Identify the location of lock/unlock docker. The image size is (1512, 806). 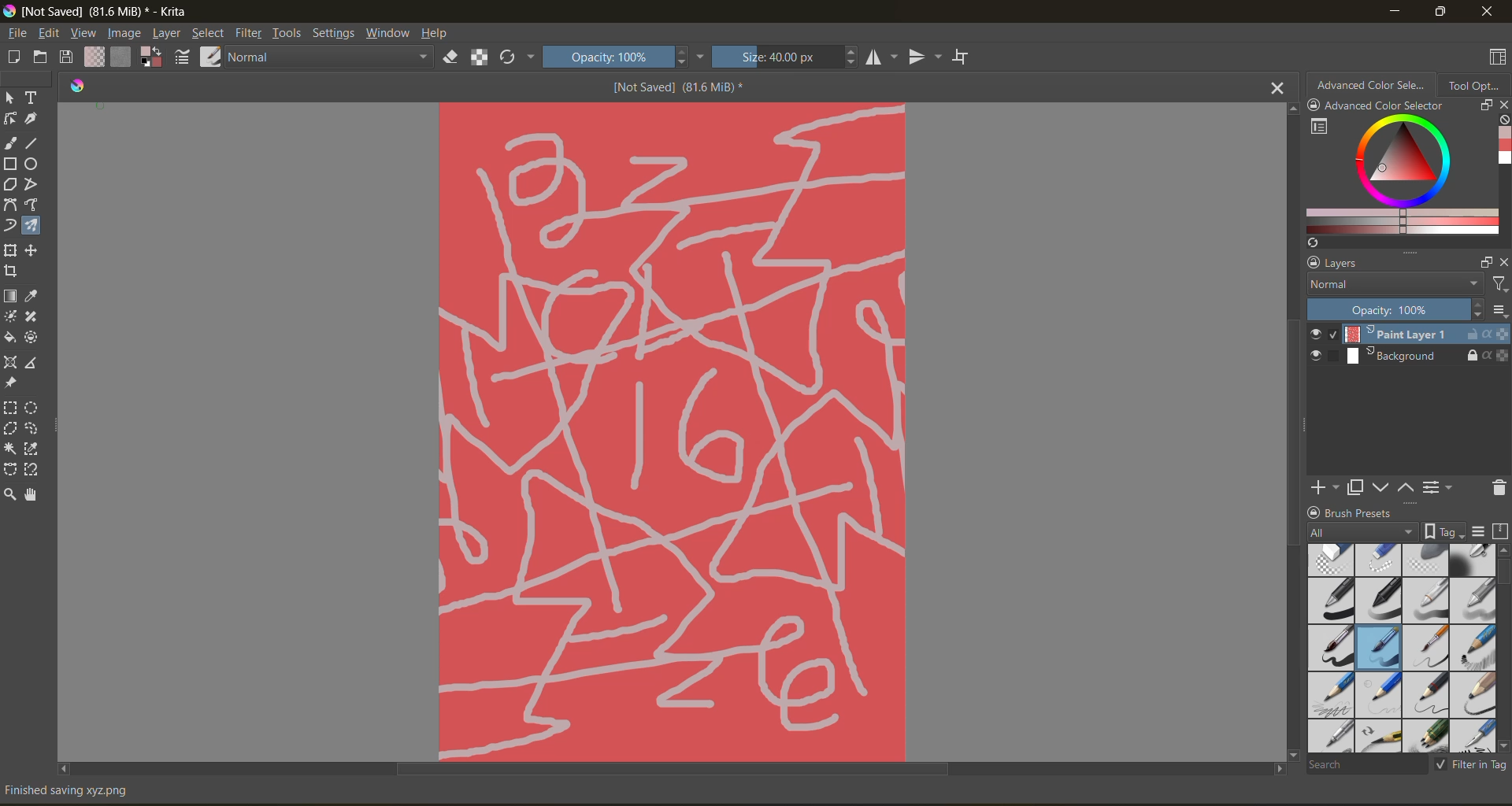
(1317, 107).